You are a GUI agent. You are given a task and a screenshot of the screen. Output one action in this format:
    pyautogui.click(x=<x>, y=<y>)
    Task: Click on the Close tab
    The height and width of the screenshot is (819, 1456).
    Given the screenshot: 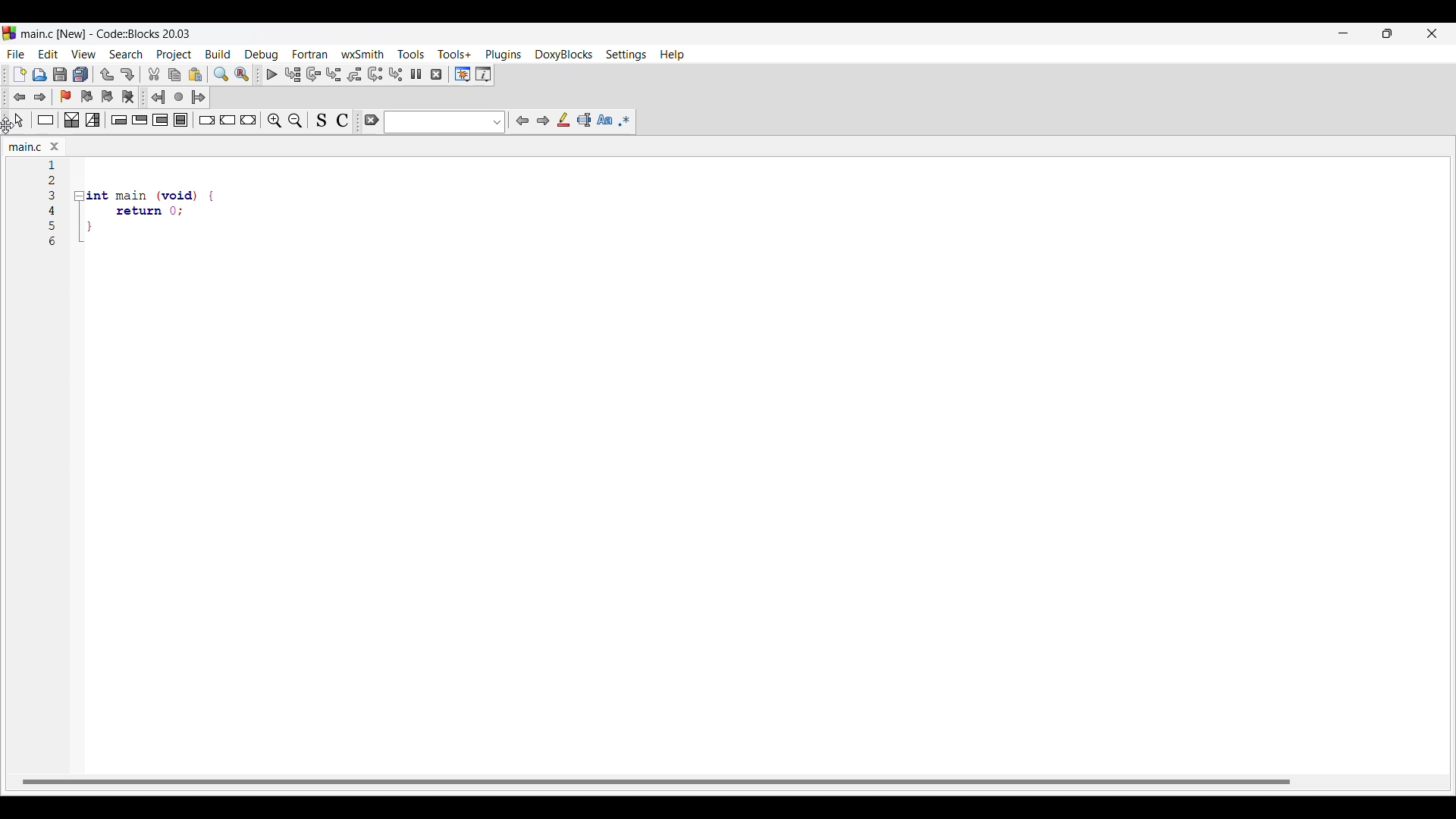 What is the action you would take?
    pyautogui.click(x=55, y=146)
    